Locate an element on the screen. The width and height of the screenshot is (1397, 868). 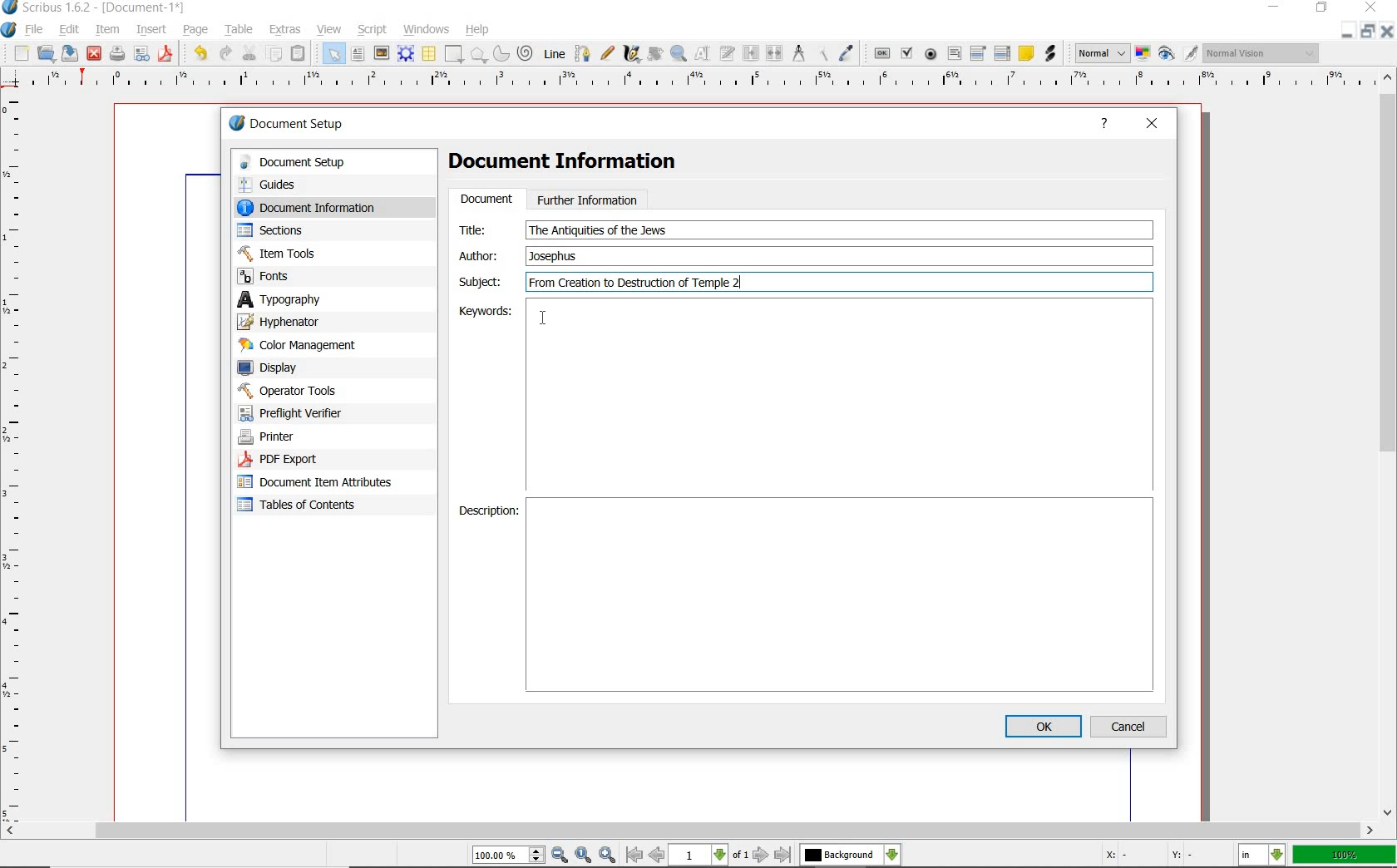
toggle color management is located at coordinates (1143, 53).